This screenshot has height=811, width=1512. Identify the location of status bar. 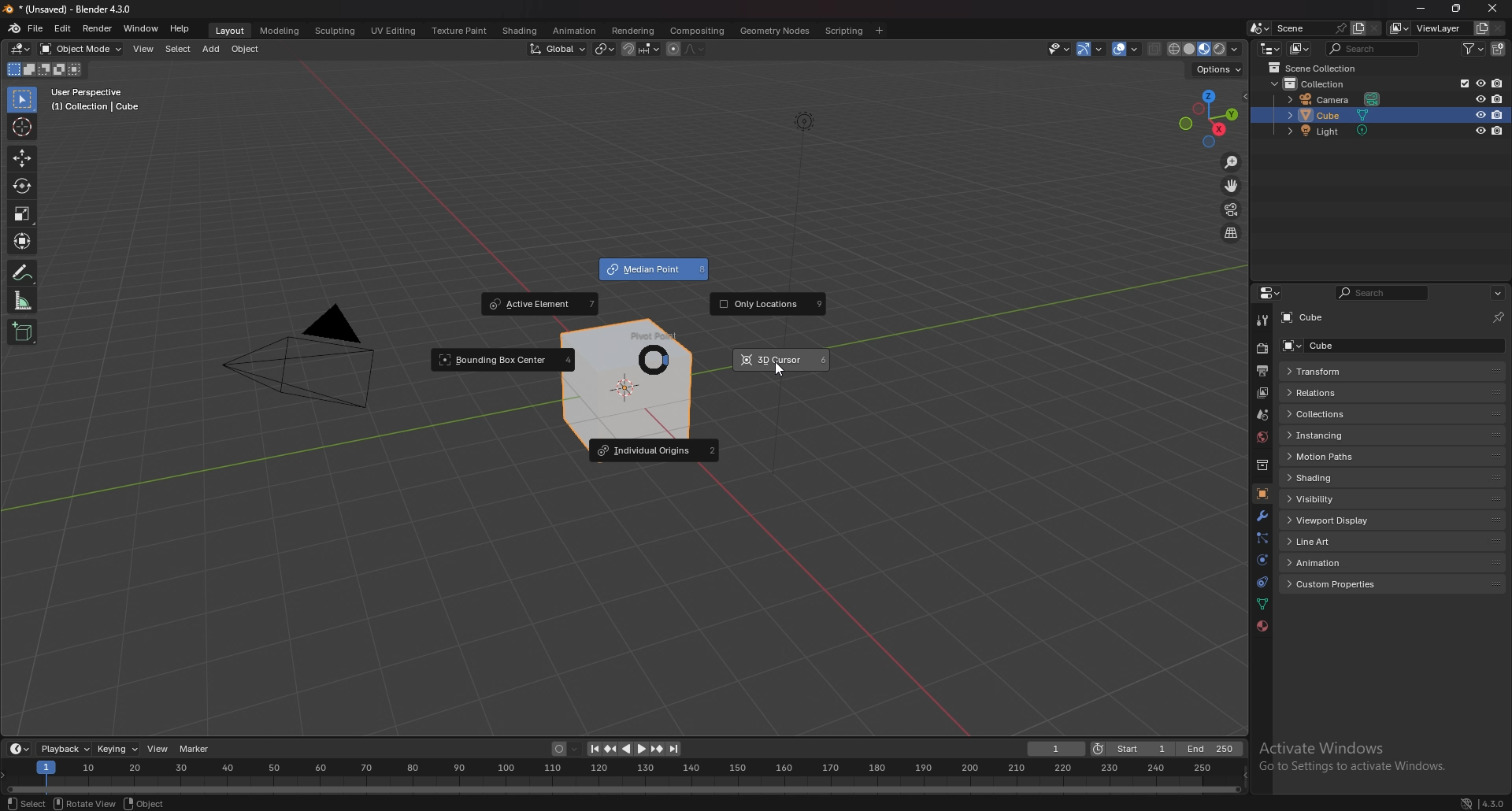
(173, 805).